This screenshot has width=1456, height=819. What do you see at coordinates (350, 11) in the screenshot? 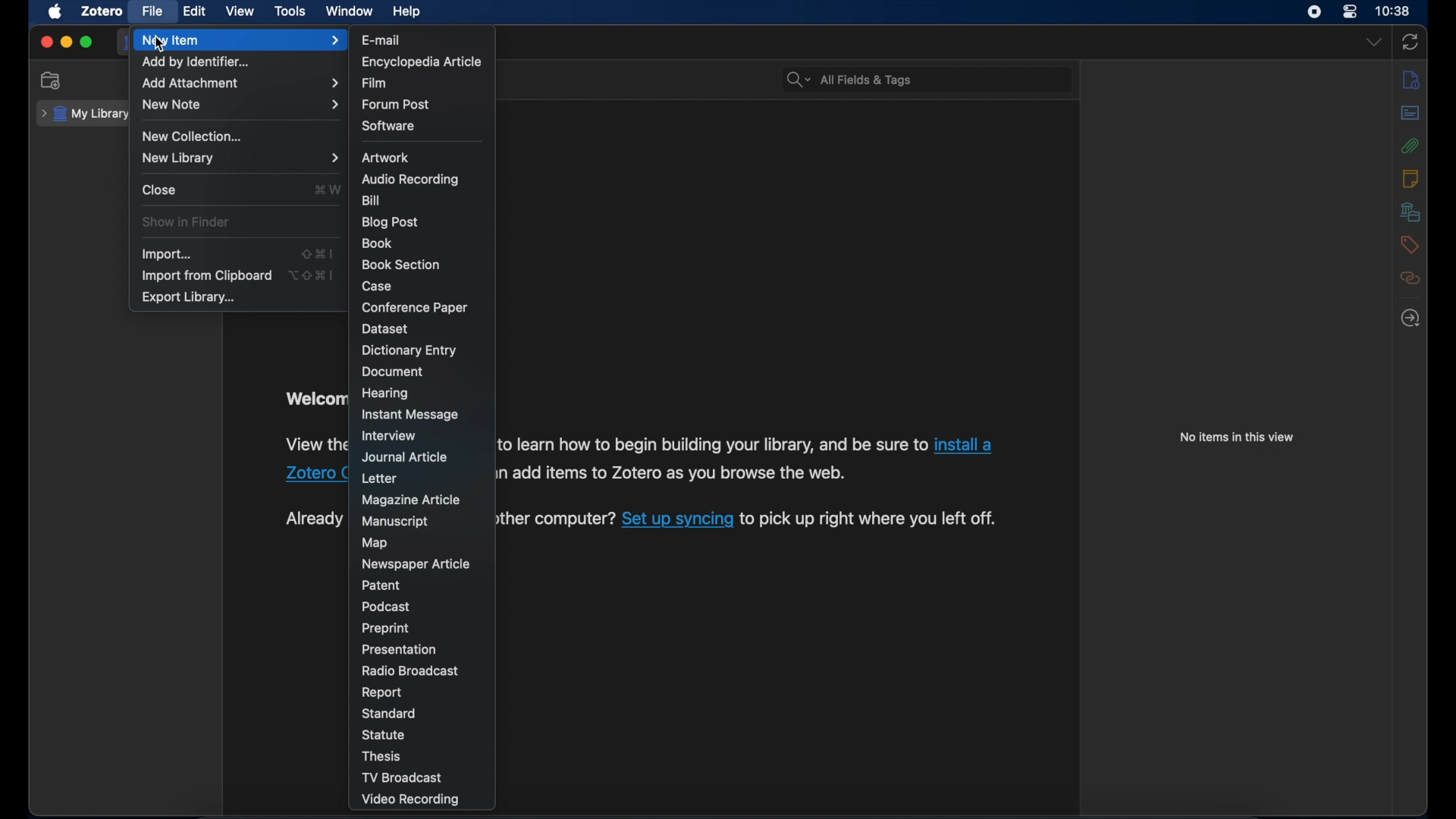
I see `window` at bounding box center [350, 11].